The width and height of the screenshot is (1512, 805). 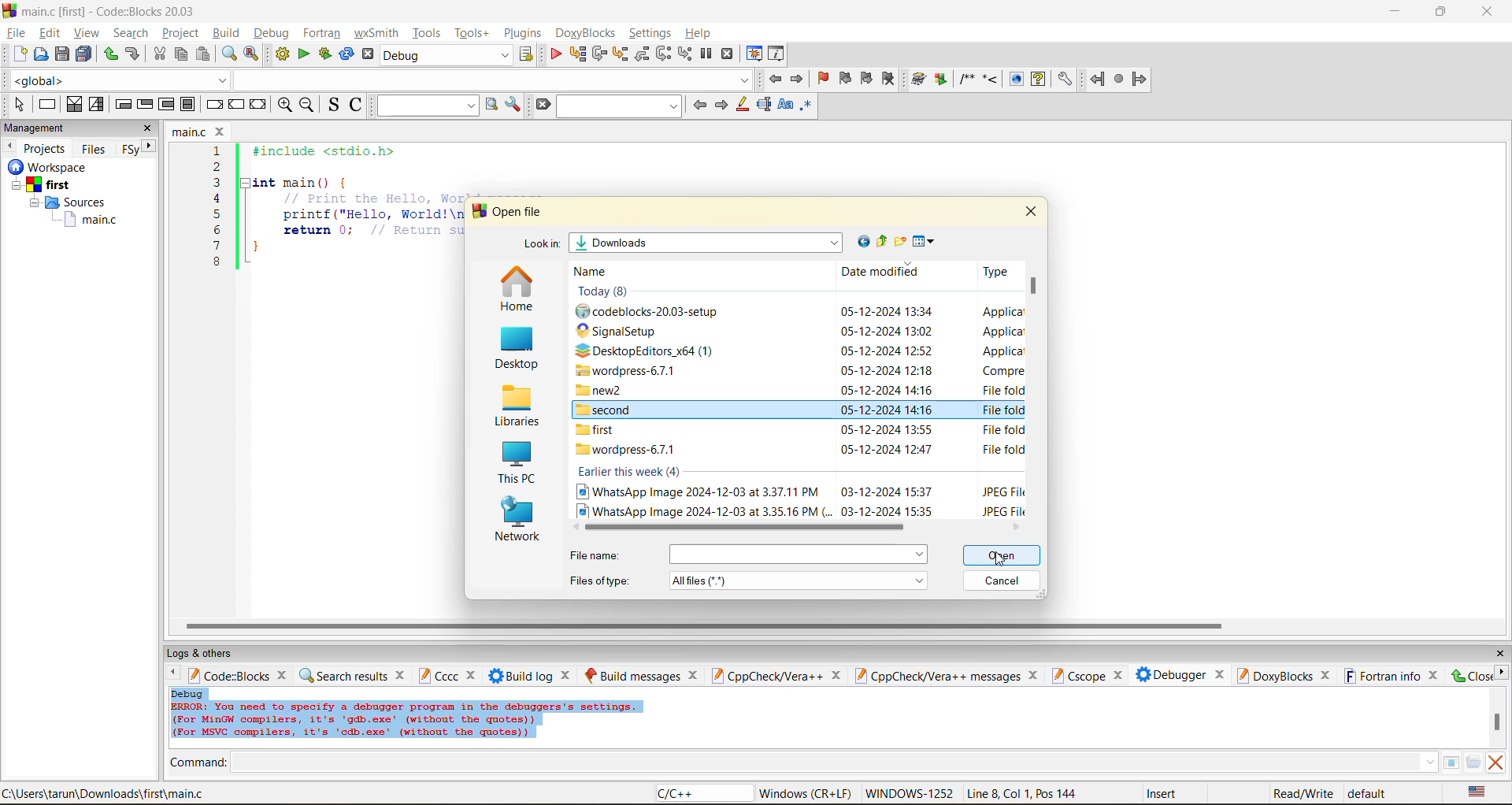 I want to click on zoom out, so click(x=306, y=106).